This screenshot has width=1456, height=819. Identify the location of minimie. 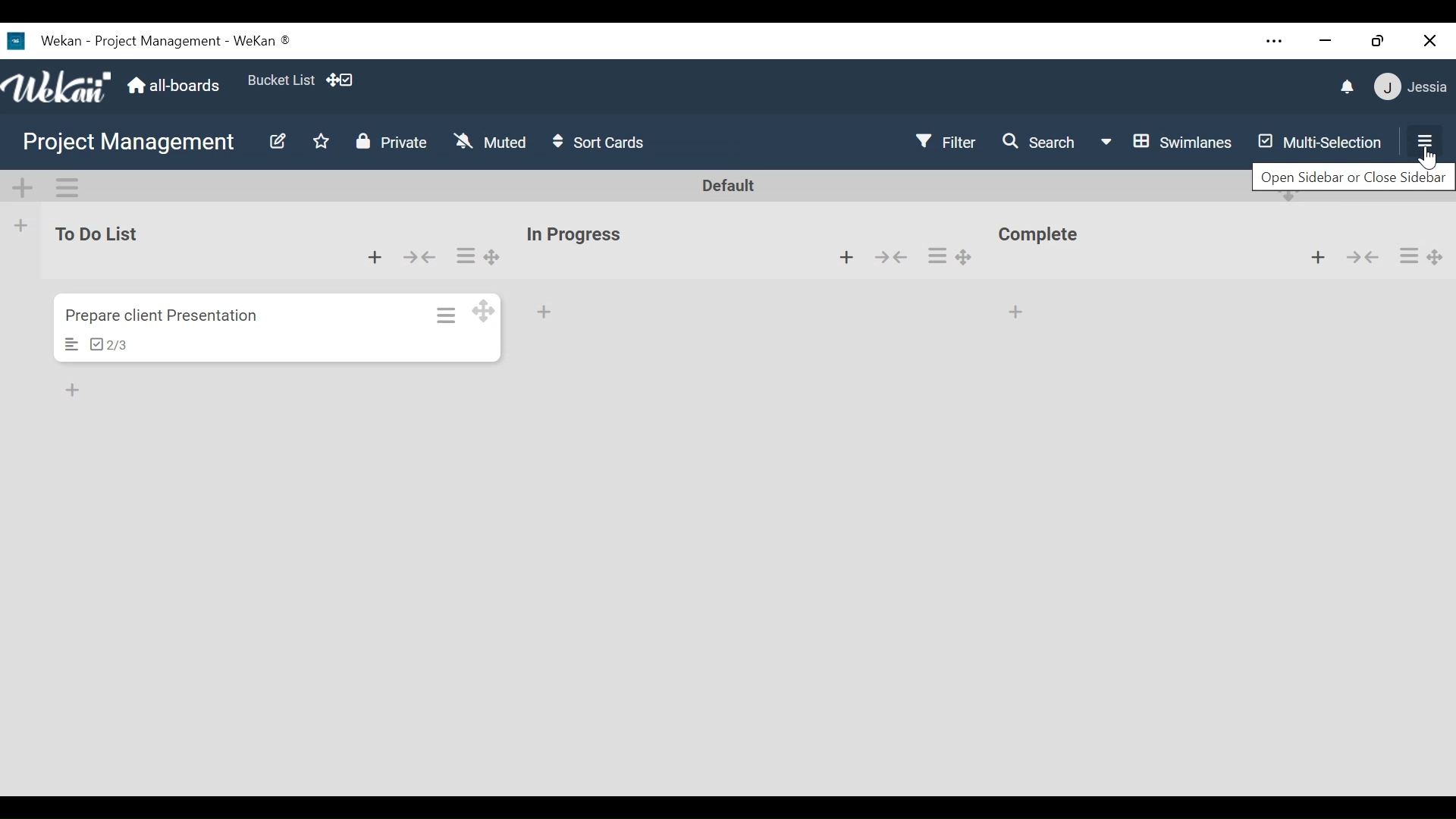
(1325, 41).